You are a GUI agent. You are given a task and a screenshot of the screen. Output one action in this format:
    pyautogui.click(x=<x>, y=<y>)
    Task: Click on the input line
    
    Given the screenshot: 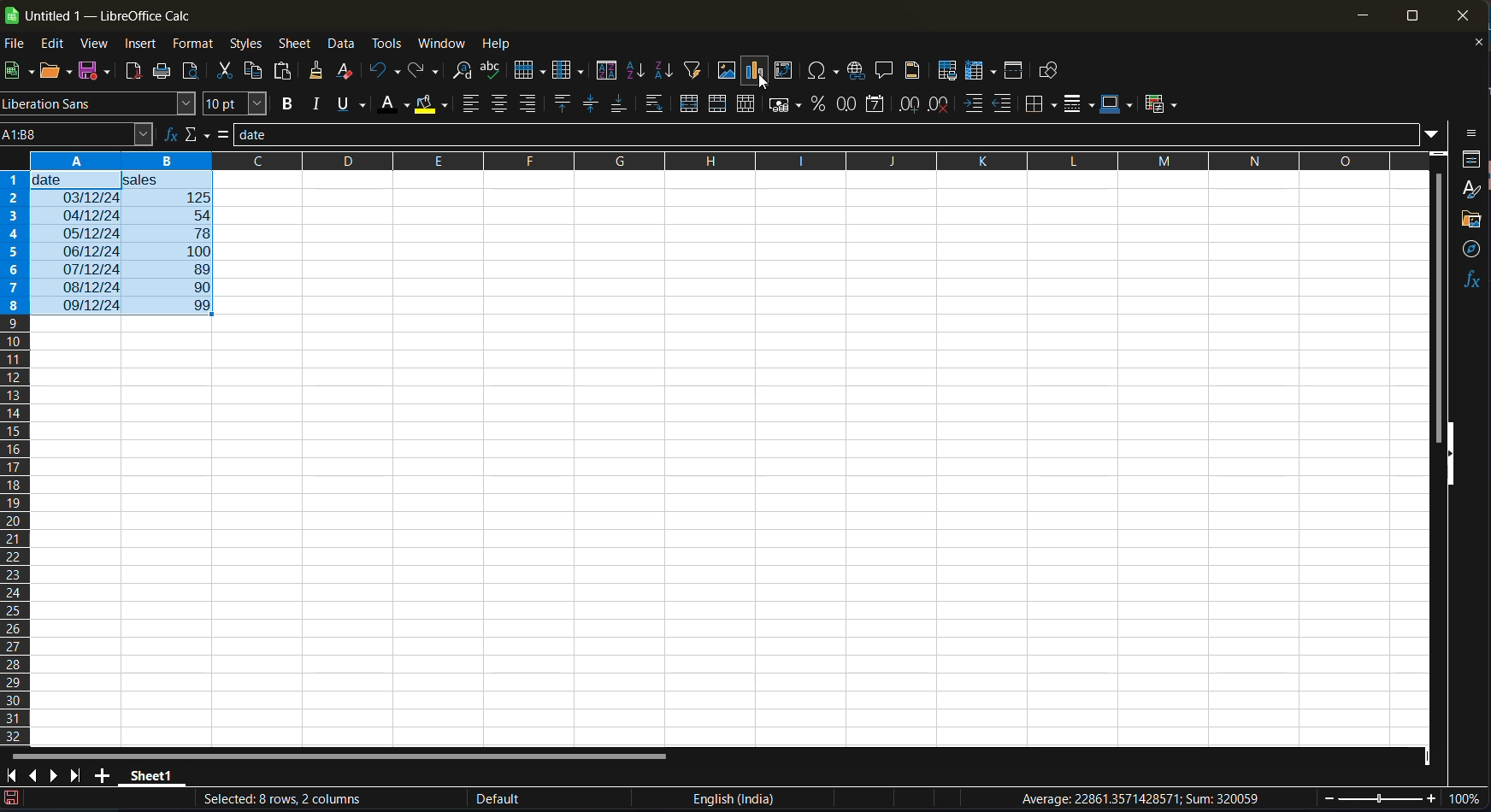 What is the action you would take?
    pyautogui.click(x=824, y=132)
    